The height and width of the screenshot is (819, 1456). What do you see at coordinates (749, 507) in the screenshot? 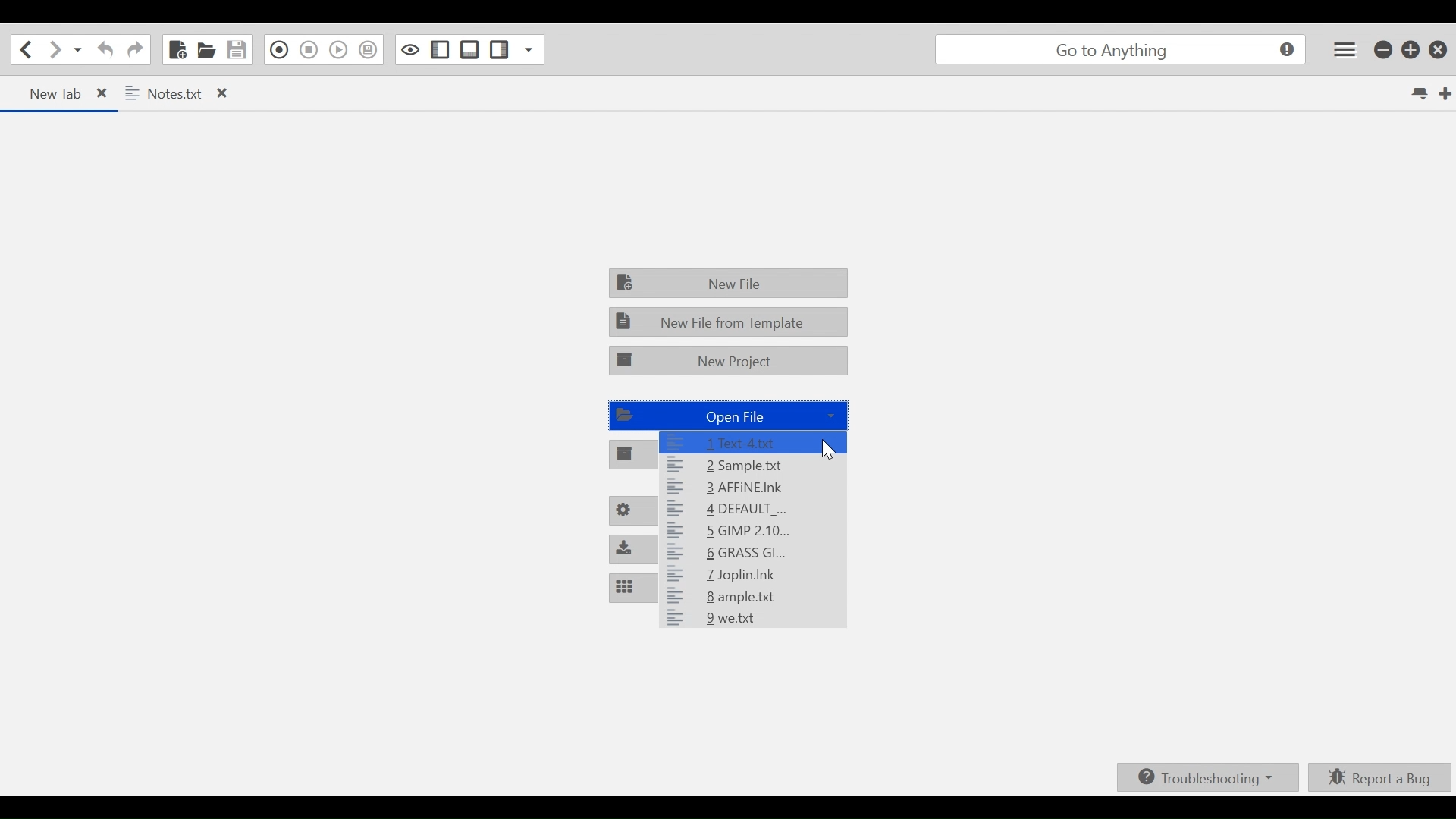
I see `4 DEFAULT _...` at bounding box center [749, 507].